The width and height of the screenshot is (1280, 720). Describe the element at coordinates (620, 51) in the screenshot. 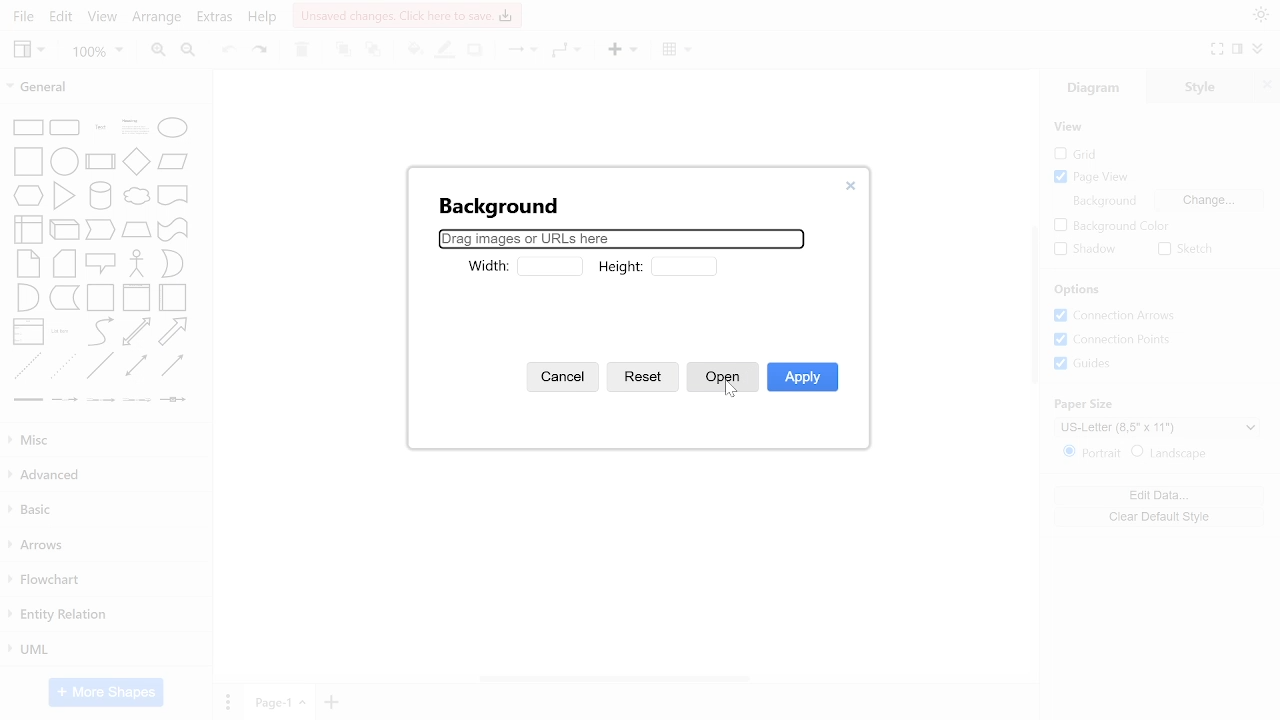

I see `insert` at that location.